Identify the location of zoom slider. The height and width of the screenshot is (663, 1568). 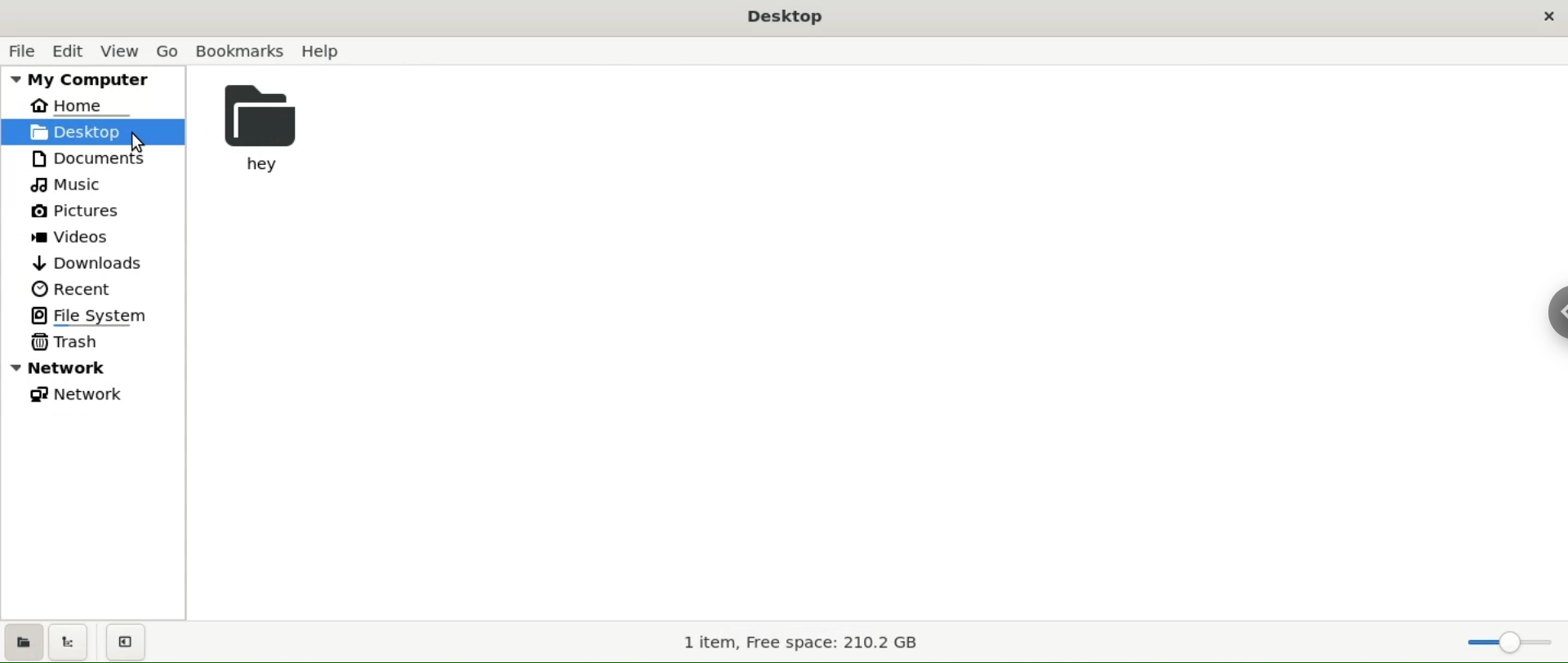
(1495, 639).